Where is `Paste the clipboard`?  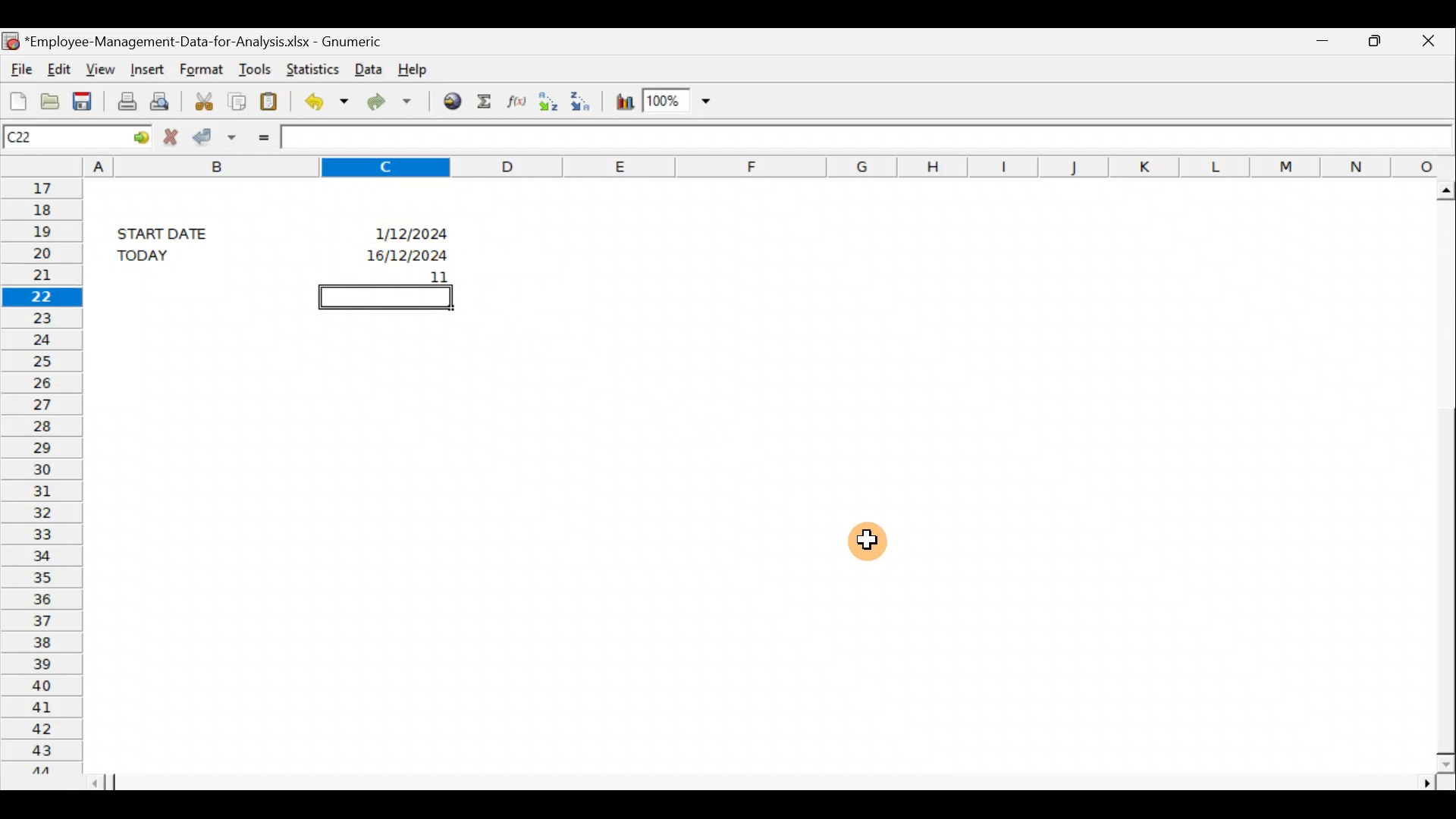 Paste the clipboard is located at coordinates (272, 99).